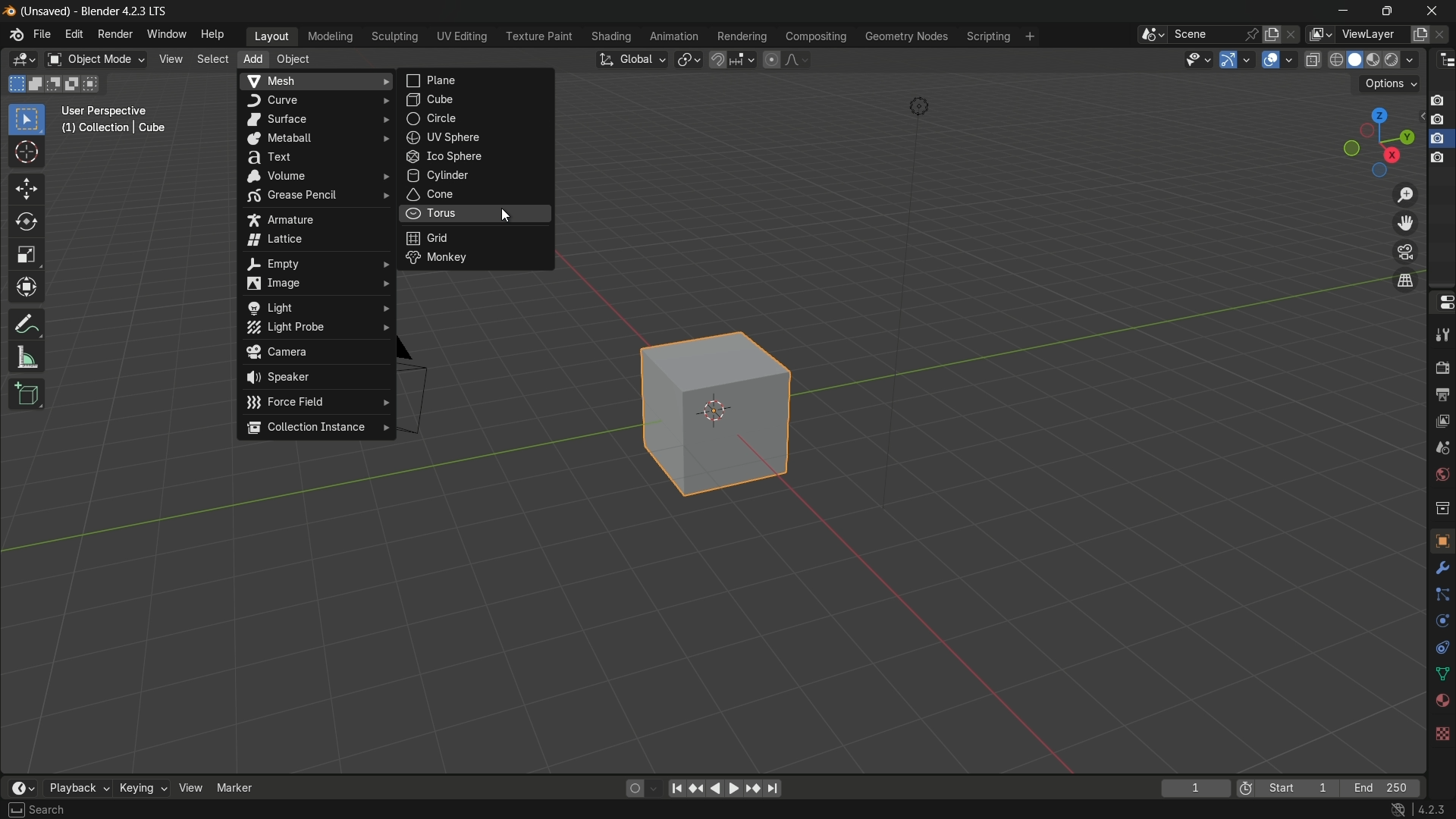  Describe the element at coordinates (42, 34) in the screenshot. I see `file menu` at that location.